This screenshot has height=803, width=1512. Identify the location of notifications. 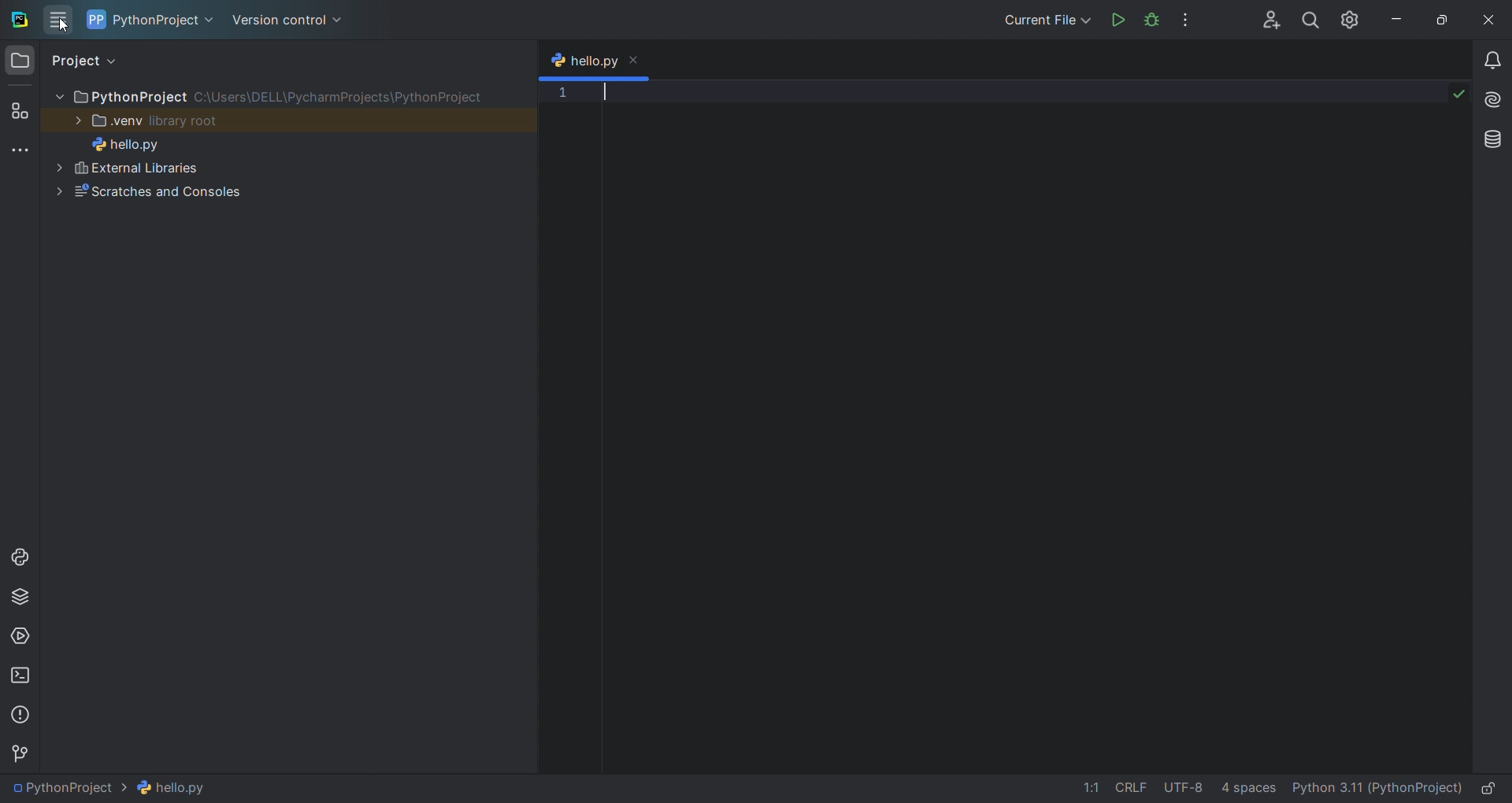
(1492, 62).